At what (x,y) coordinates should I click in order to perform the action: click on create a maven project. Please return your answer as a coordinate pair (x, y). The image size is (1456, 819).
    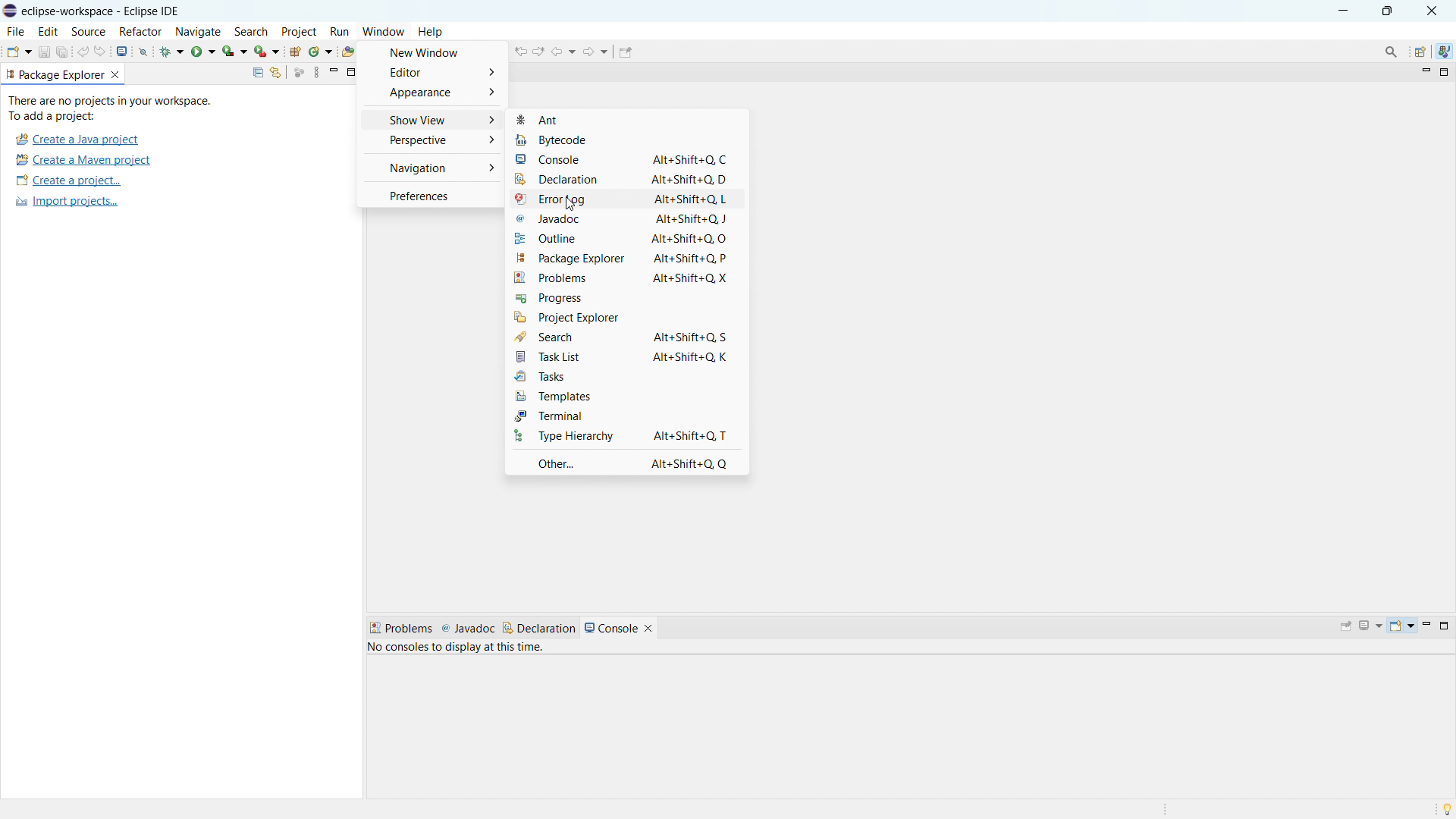
    Looking at the image, I should click on (83, 160).